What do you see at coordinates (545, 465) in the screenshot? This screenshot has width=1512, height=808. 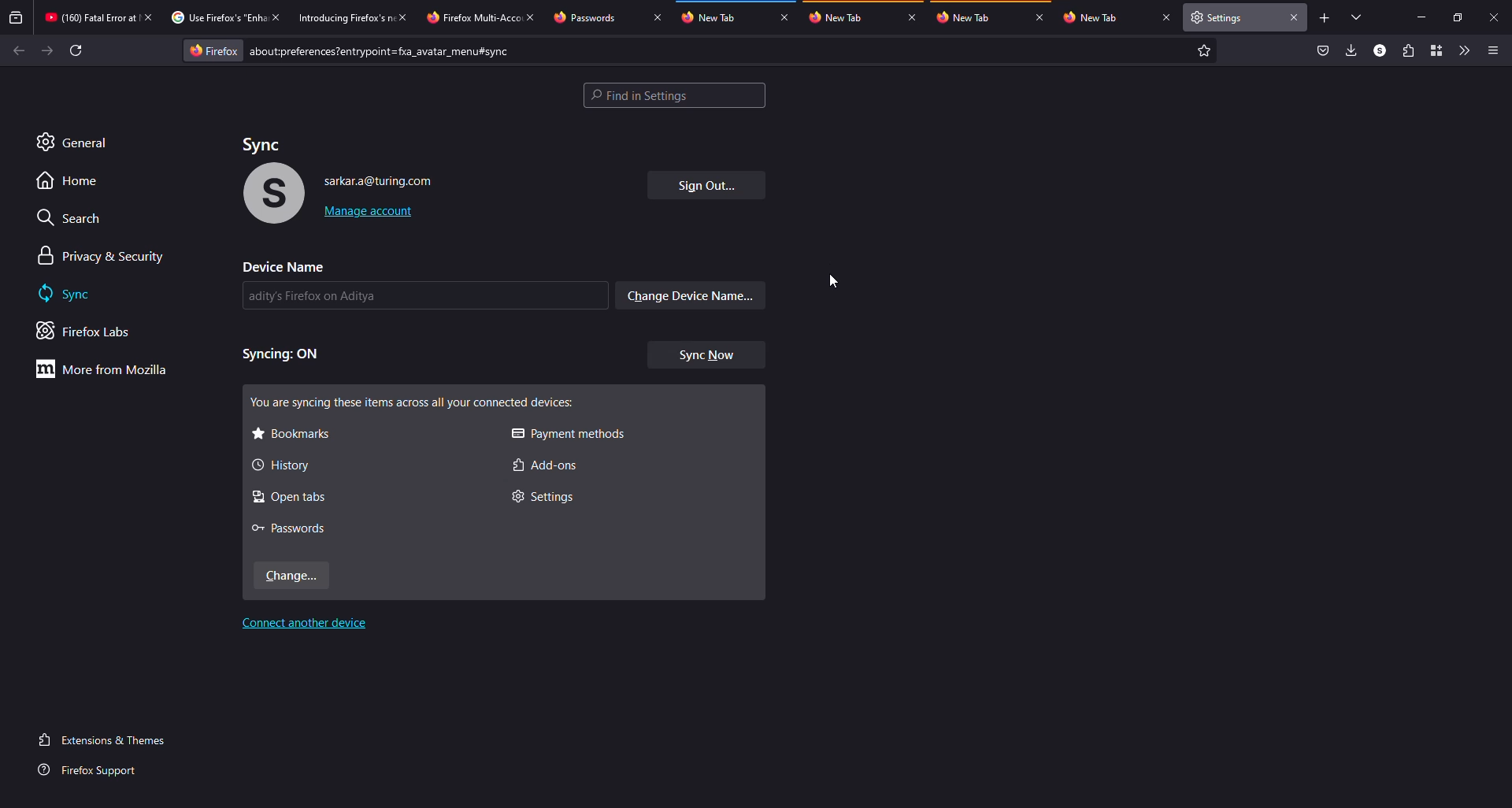 I see `add-ons` at bounding box center [545, 465].